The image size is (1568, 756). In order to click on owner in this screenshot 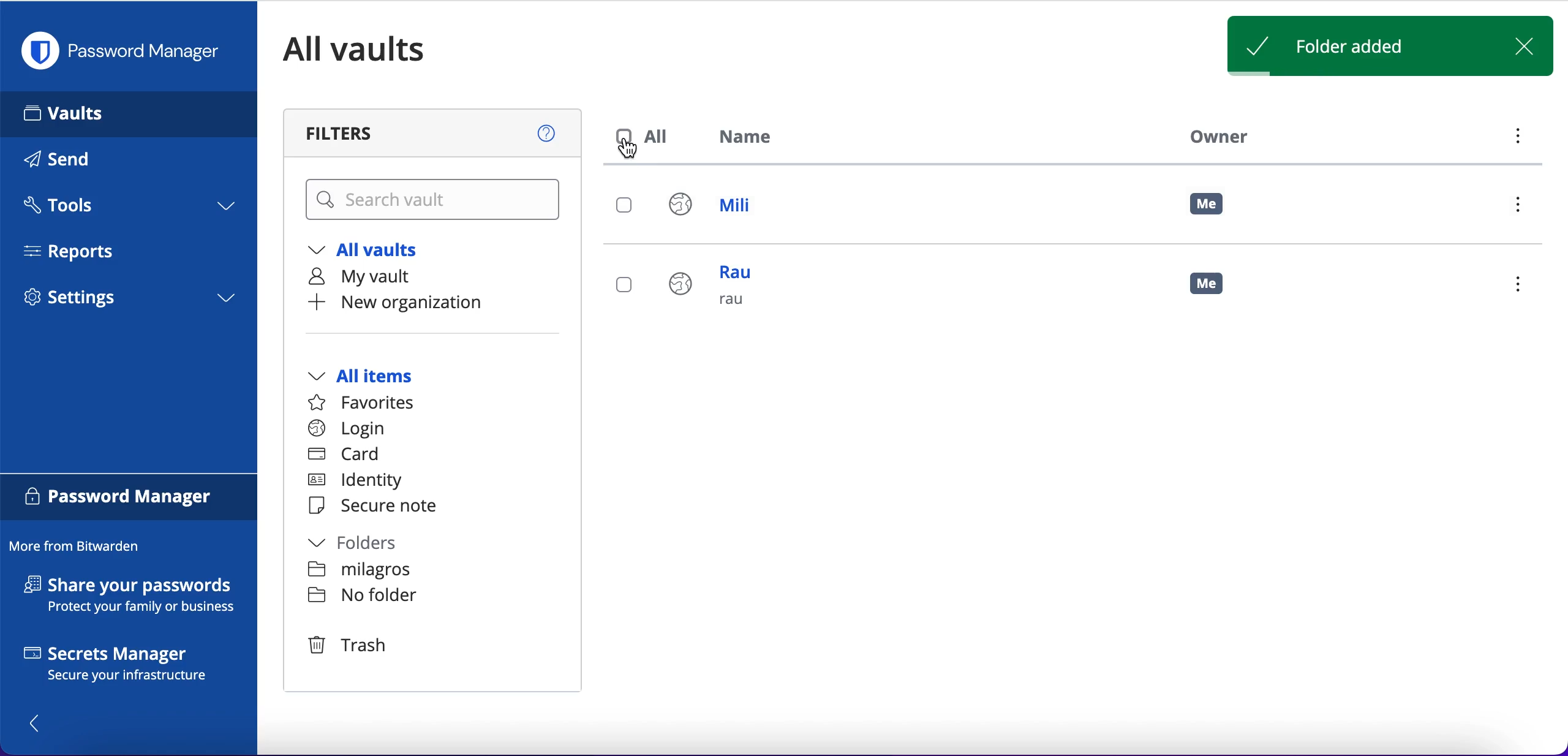, I will do `click(1215, 136)`.